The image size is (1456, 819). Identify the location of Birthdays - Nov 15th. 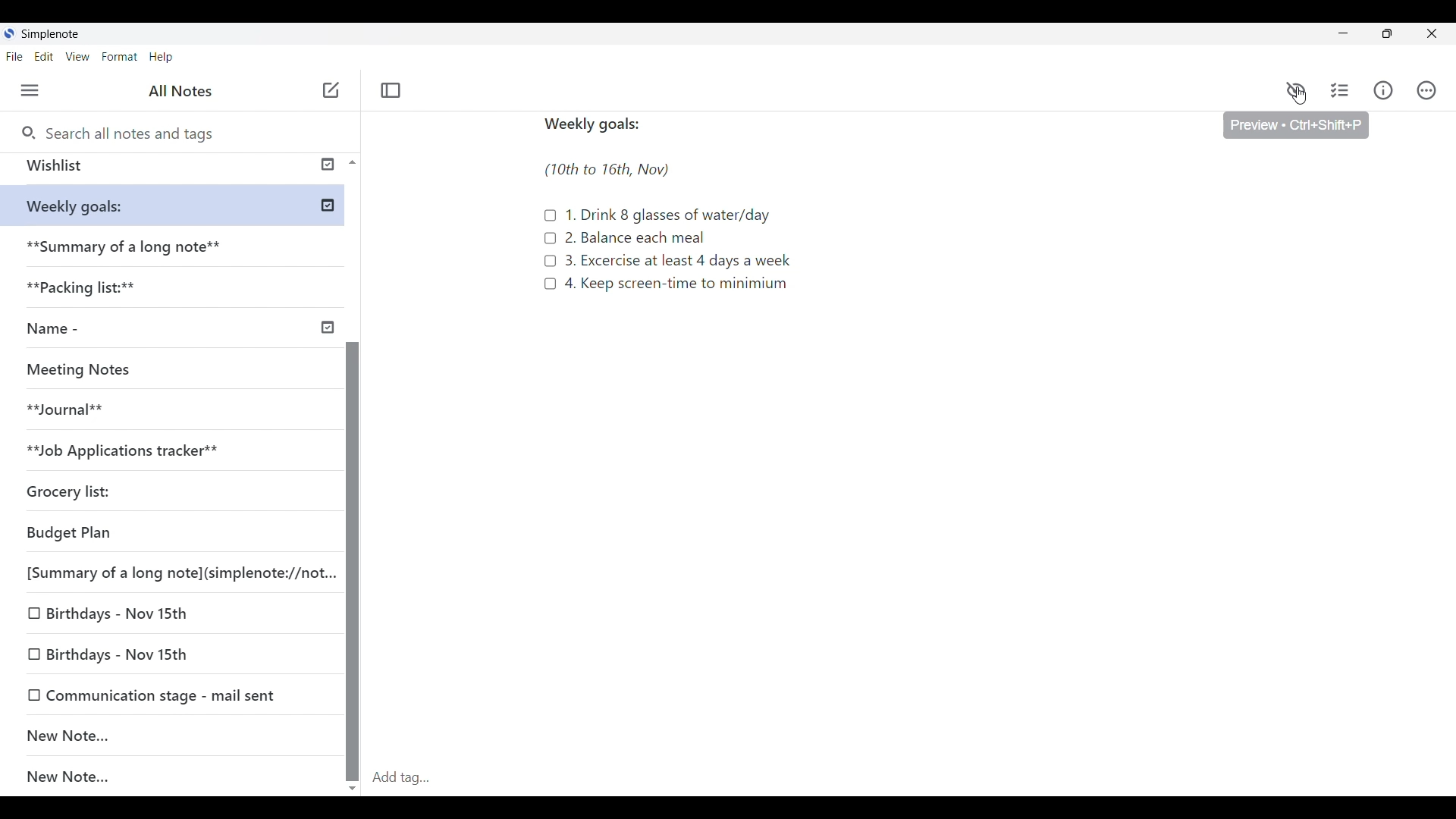
(165, 651).